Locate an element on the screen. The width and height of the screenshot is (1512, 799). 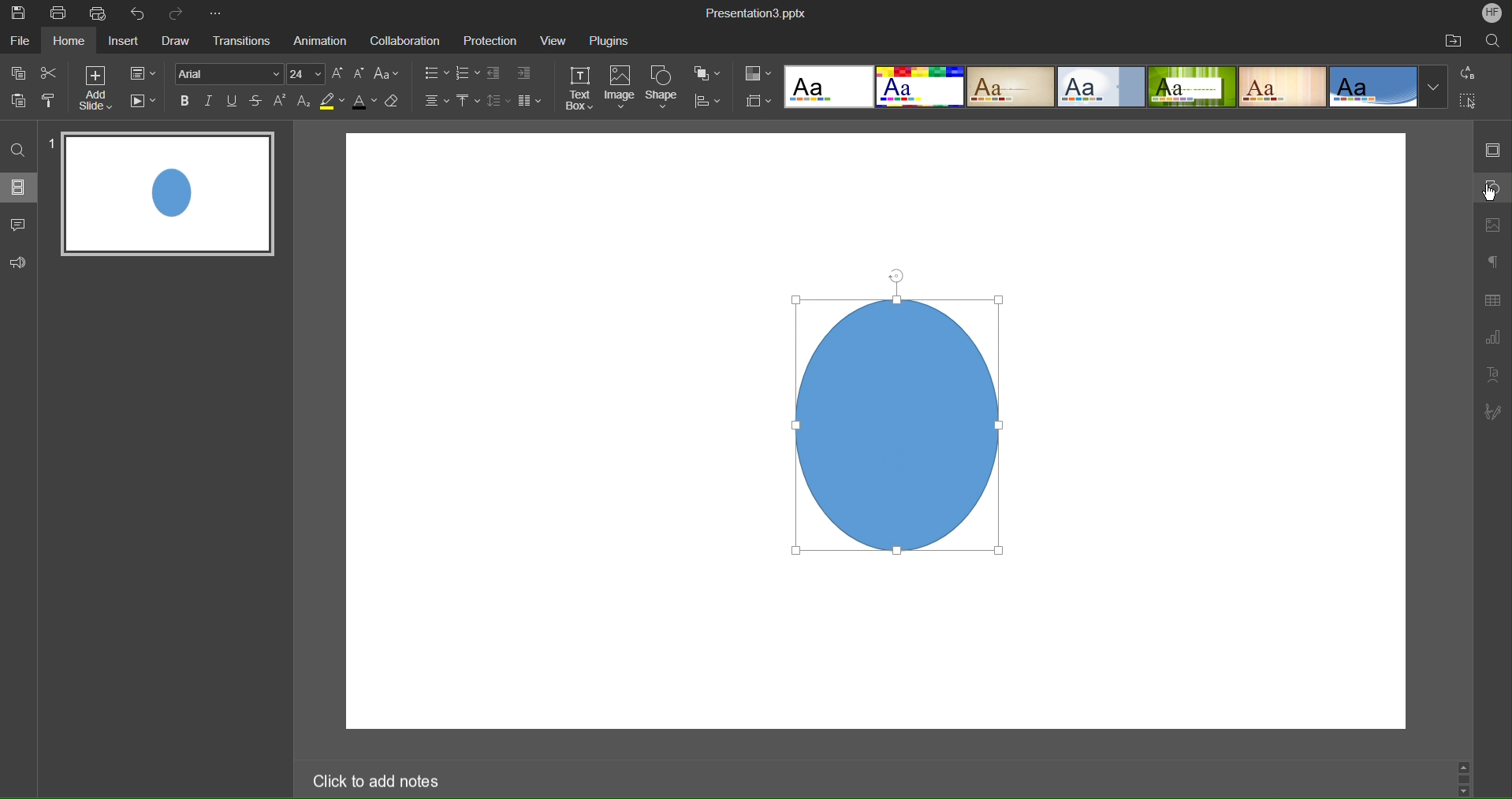
Playback is located at coordinates (143, 102).